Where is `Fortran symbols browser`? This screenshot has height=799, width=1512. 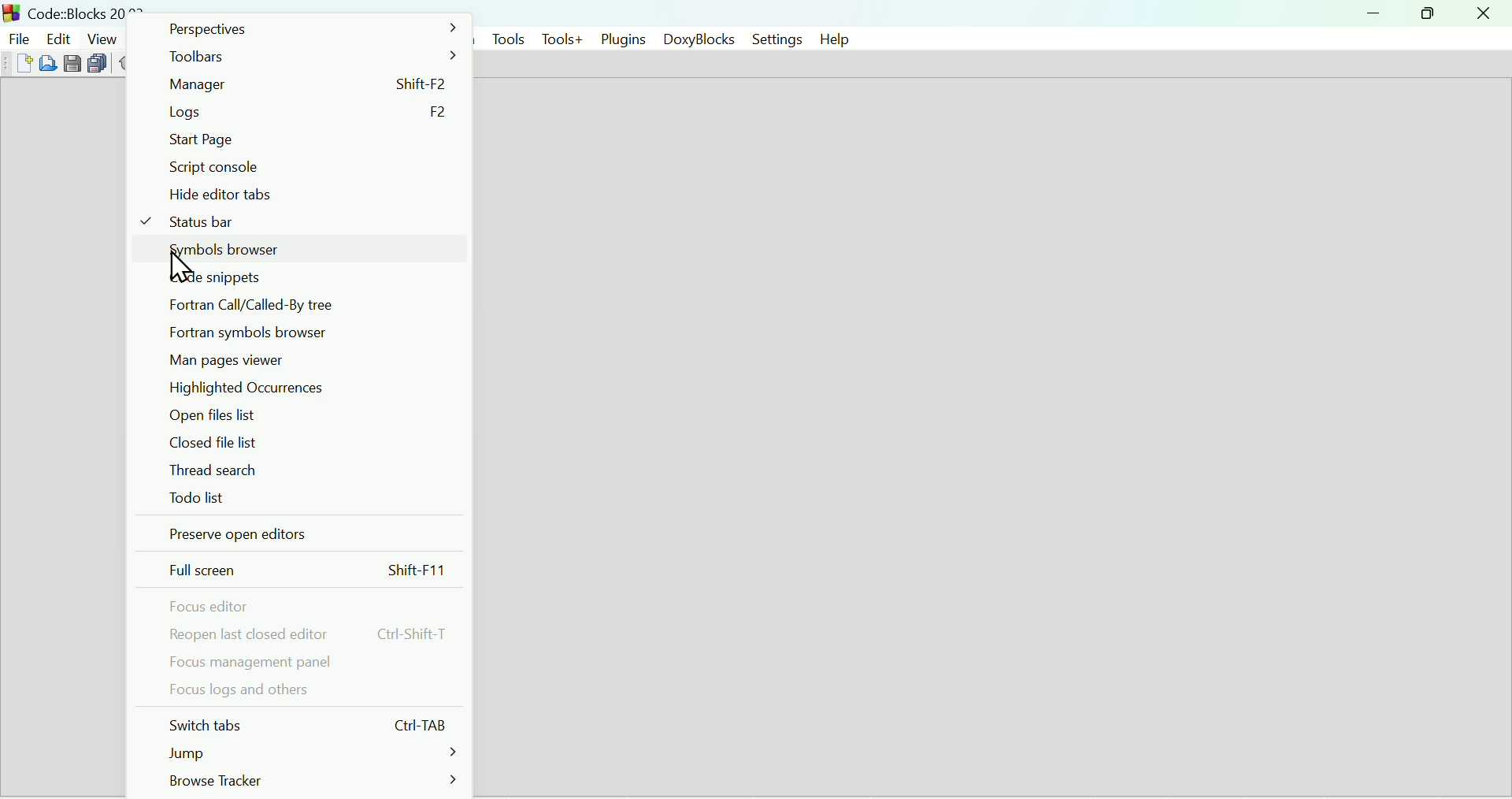 Fortran symbols browser is located at coordinates (303, 332).